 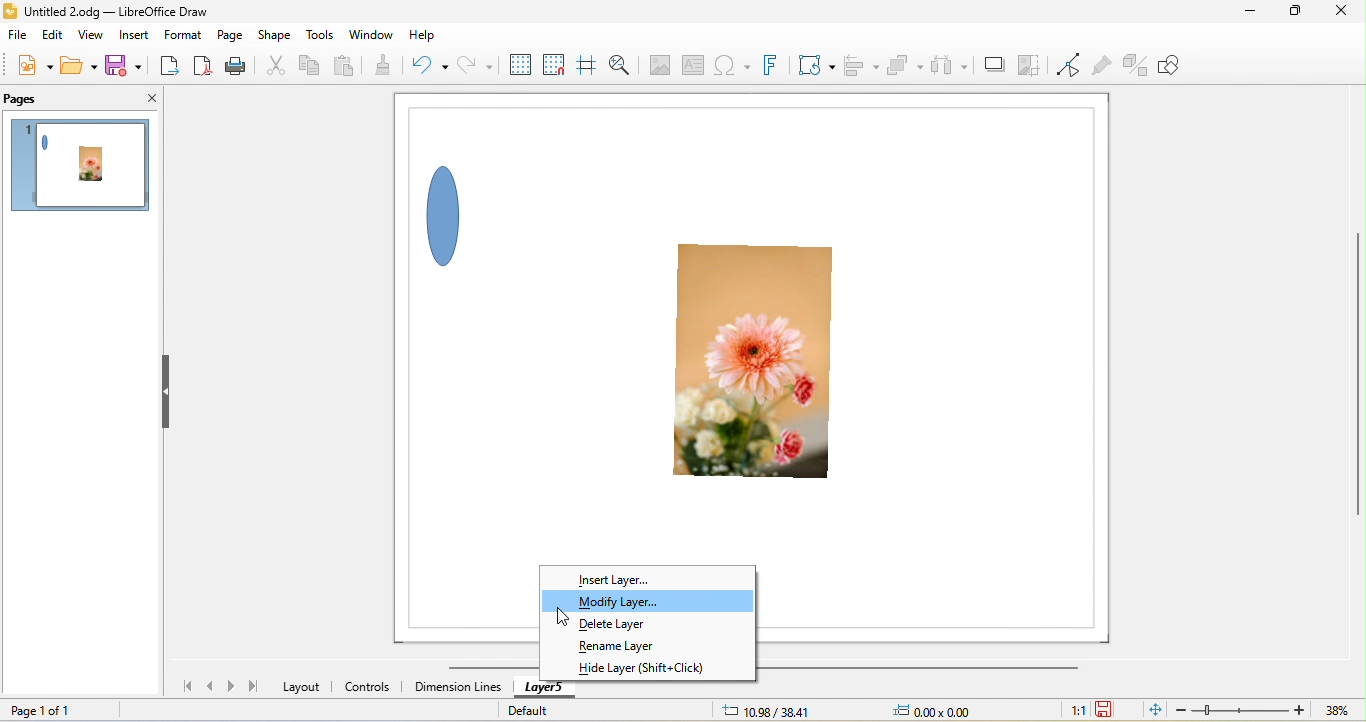 I want to click on file, so click(x=18, y=38).